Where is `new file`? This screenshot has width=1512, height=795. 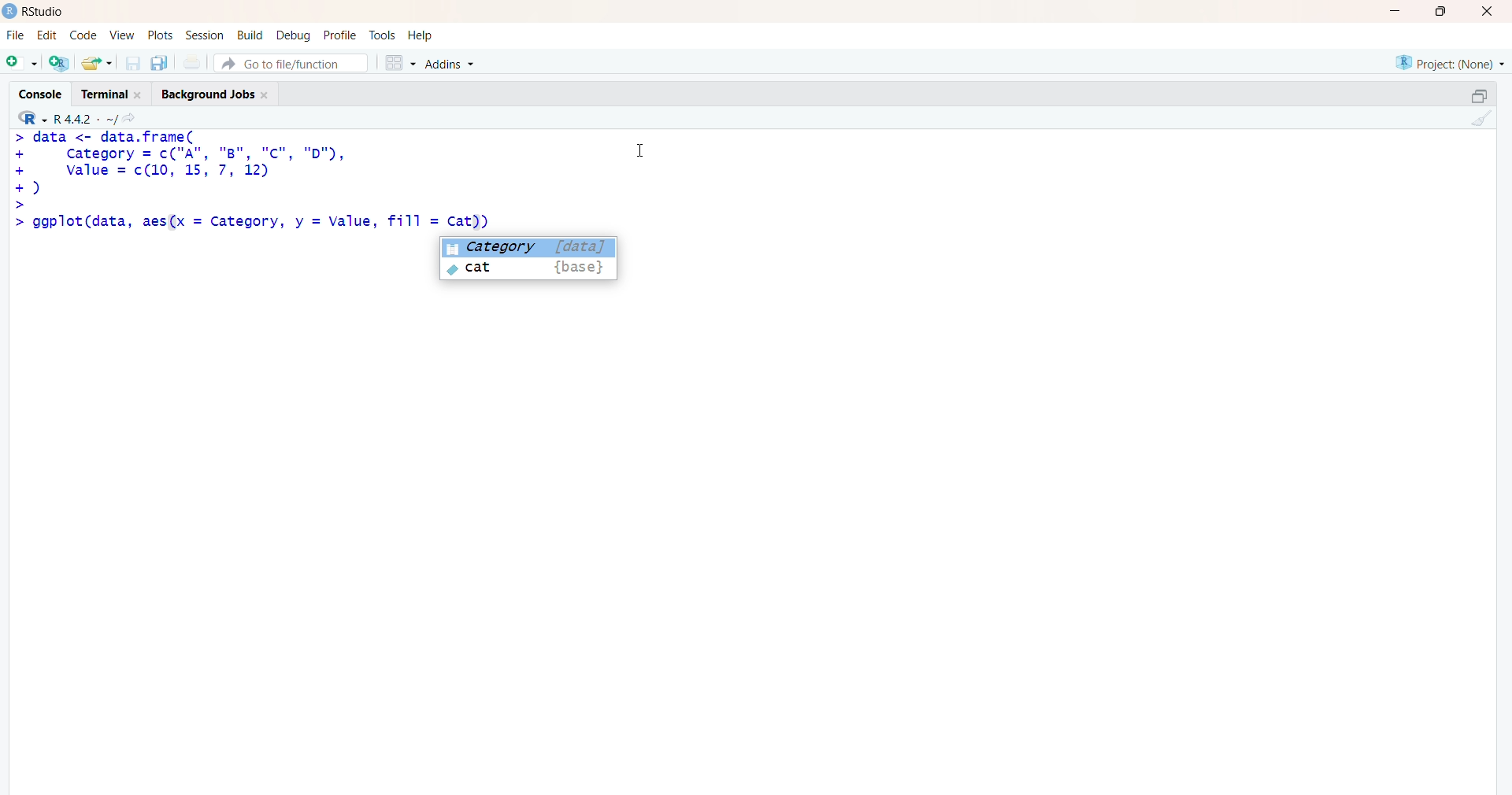
new file is located at coordinates (21, 61).